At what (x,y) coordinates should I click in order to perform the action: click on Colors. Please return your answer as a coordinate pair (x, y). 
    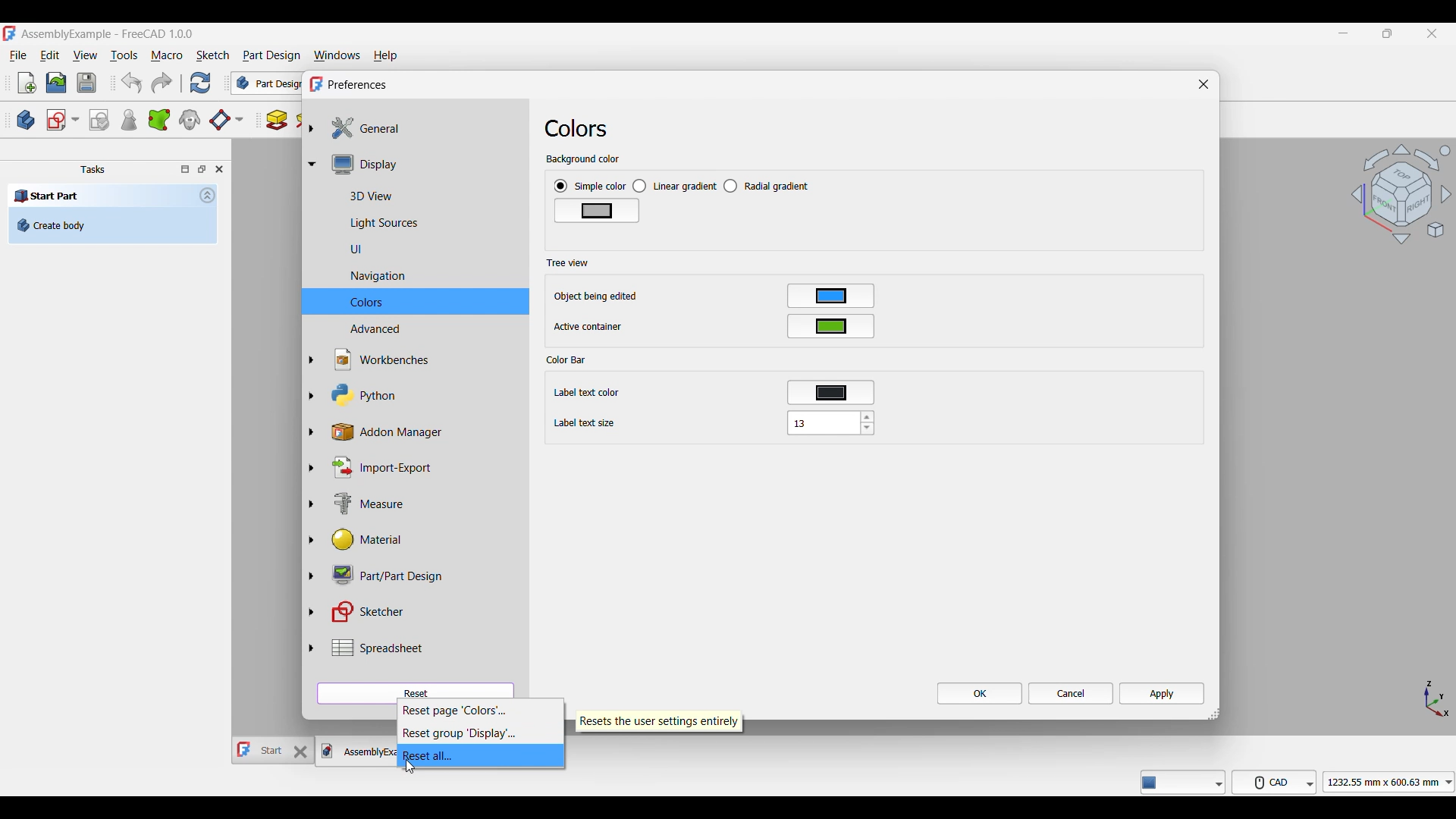
    Looking at the image, I should click on (582, 128).